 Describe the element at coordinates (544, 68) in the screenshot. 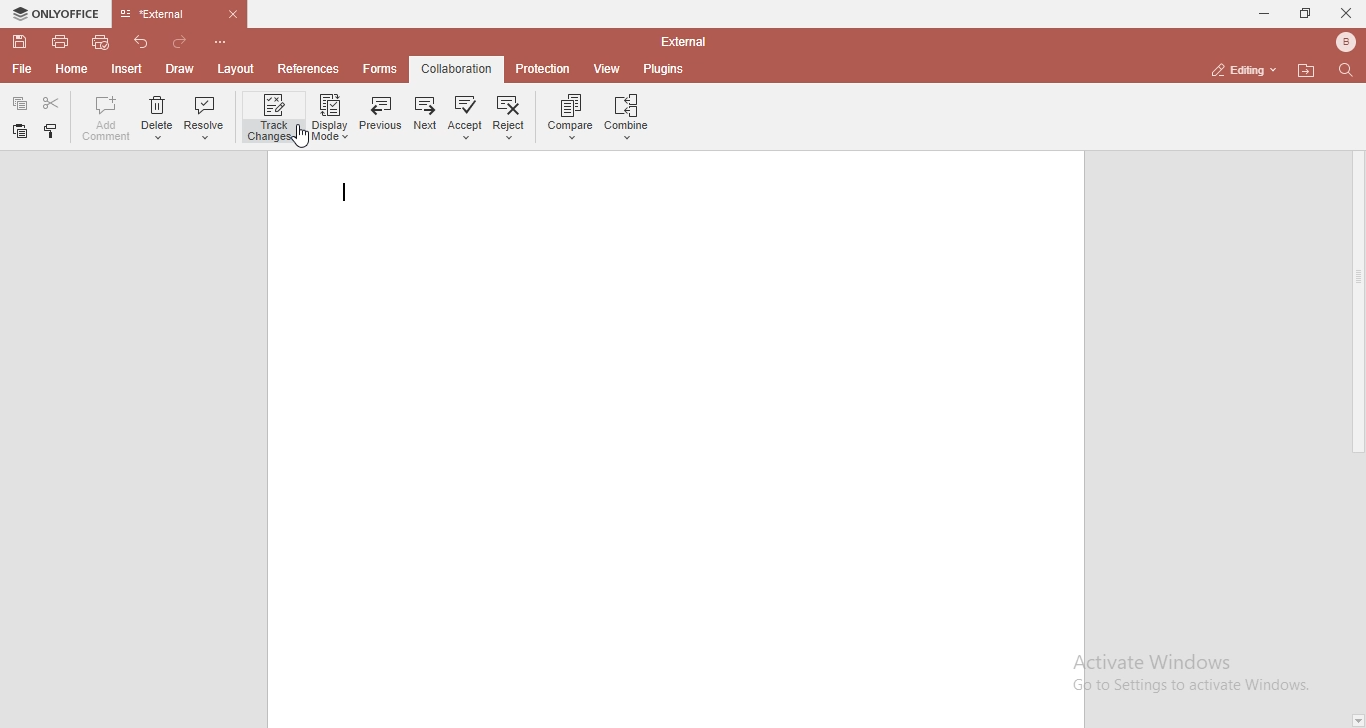

I see `protection` at that location.